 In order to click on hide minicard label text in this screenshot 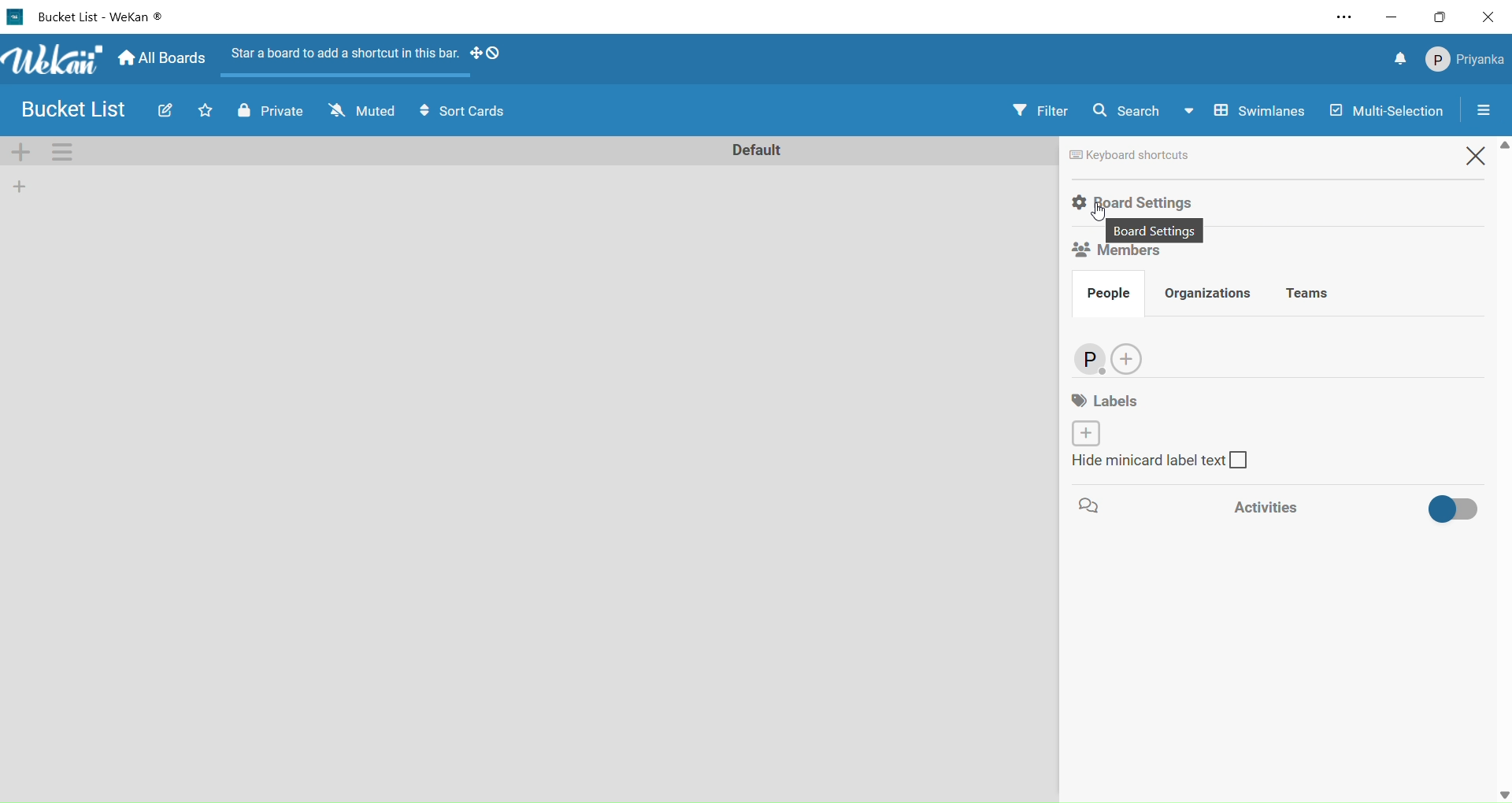, I will do `click(1155, 464)`.